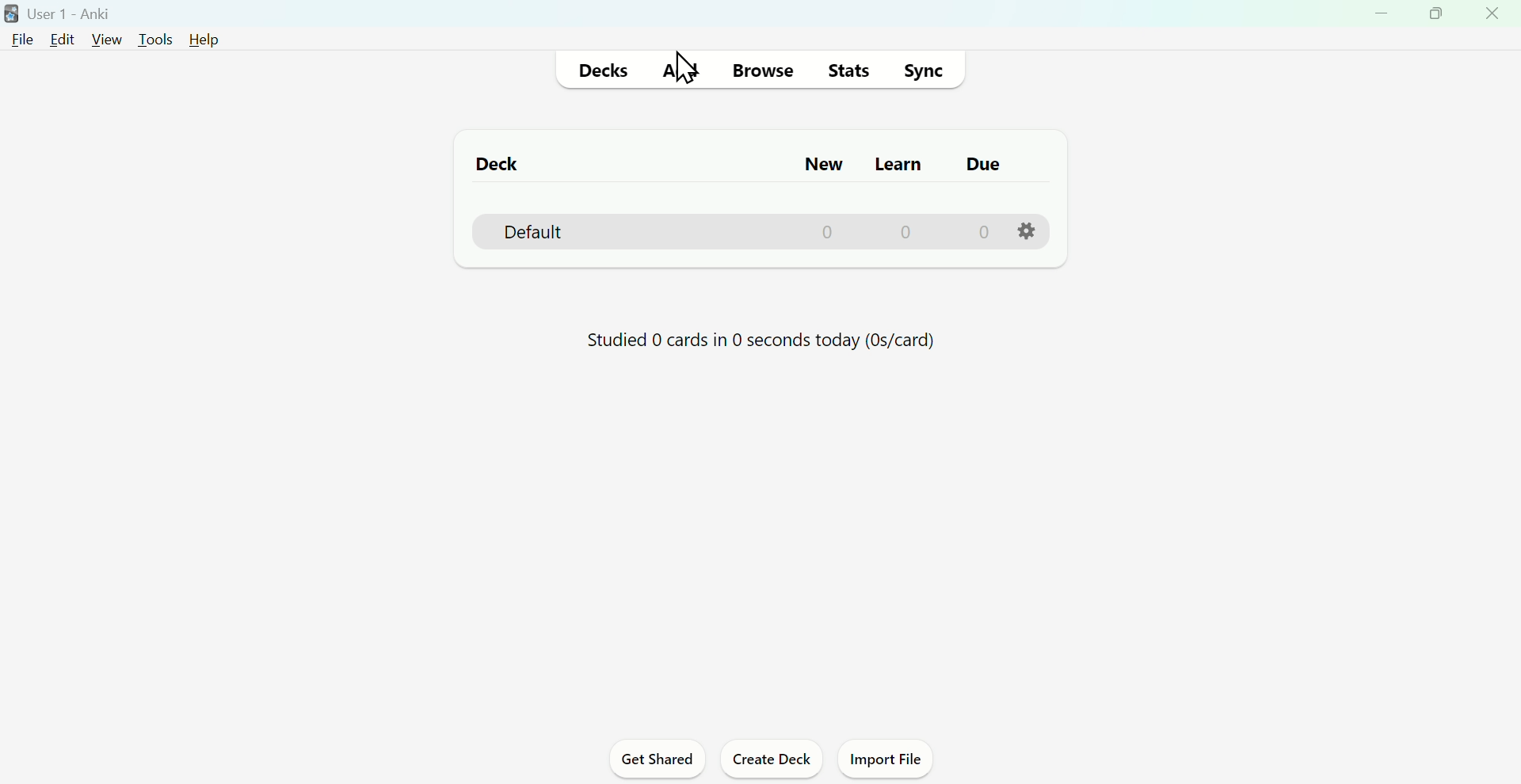  Describe the element at coordinates (658, 758) in the screenshot. I see `Get shared` at that location.